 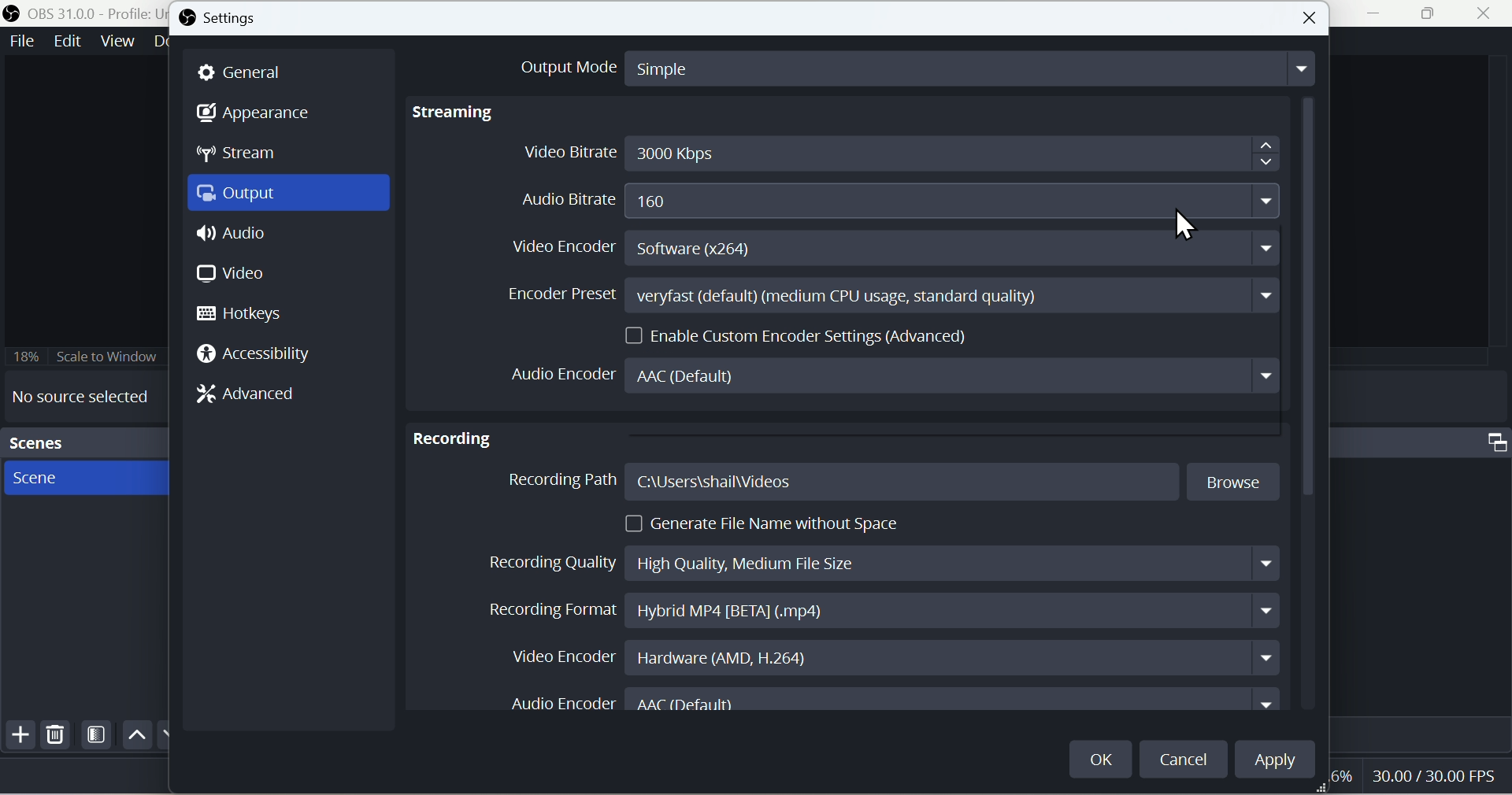 I want to click on Recording Format, so click(x=877, y=611).